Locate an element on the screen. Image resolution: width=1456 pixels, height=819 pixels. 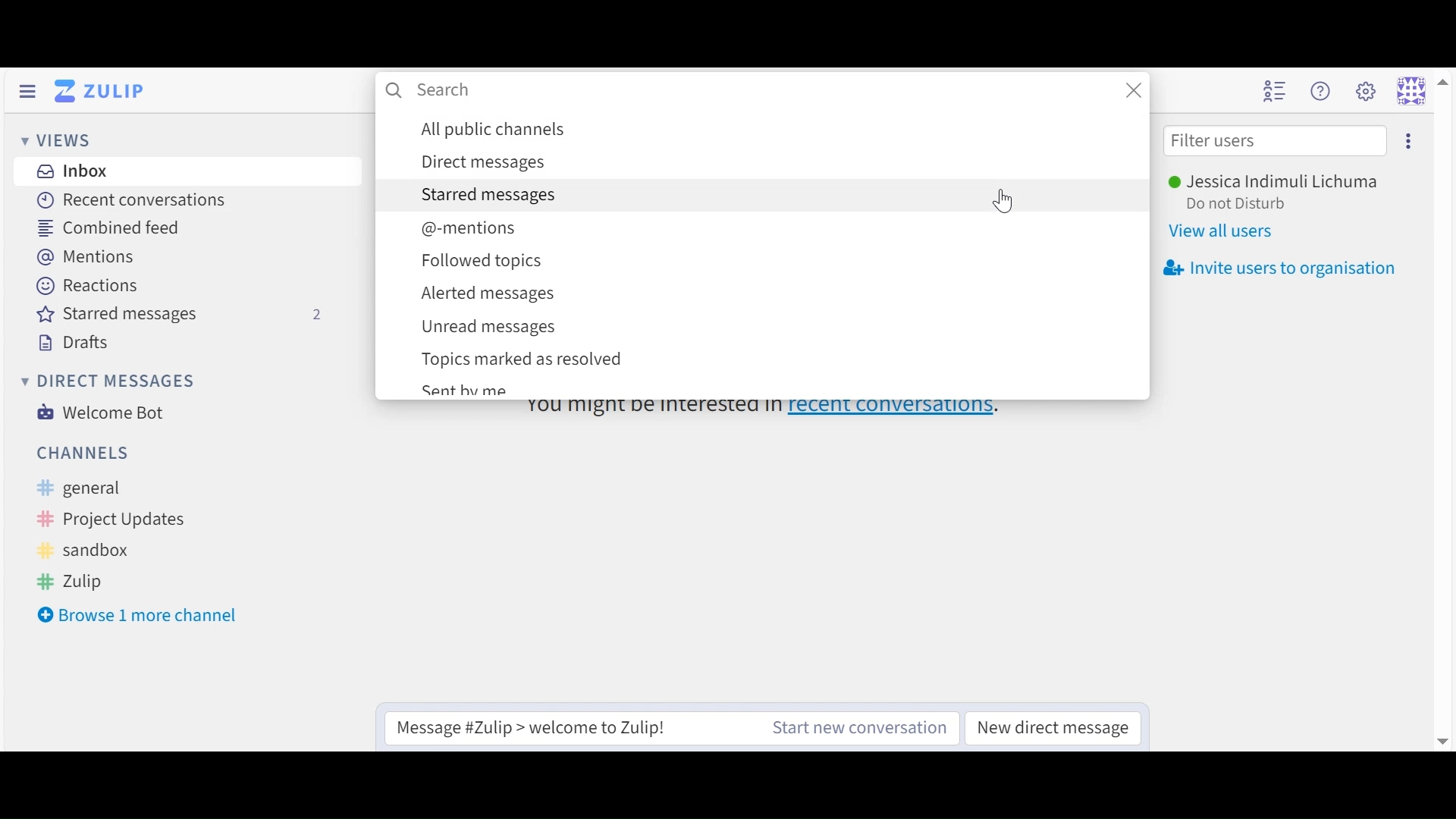
Followed topics is located at coordinates (777, 262).